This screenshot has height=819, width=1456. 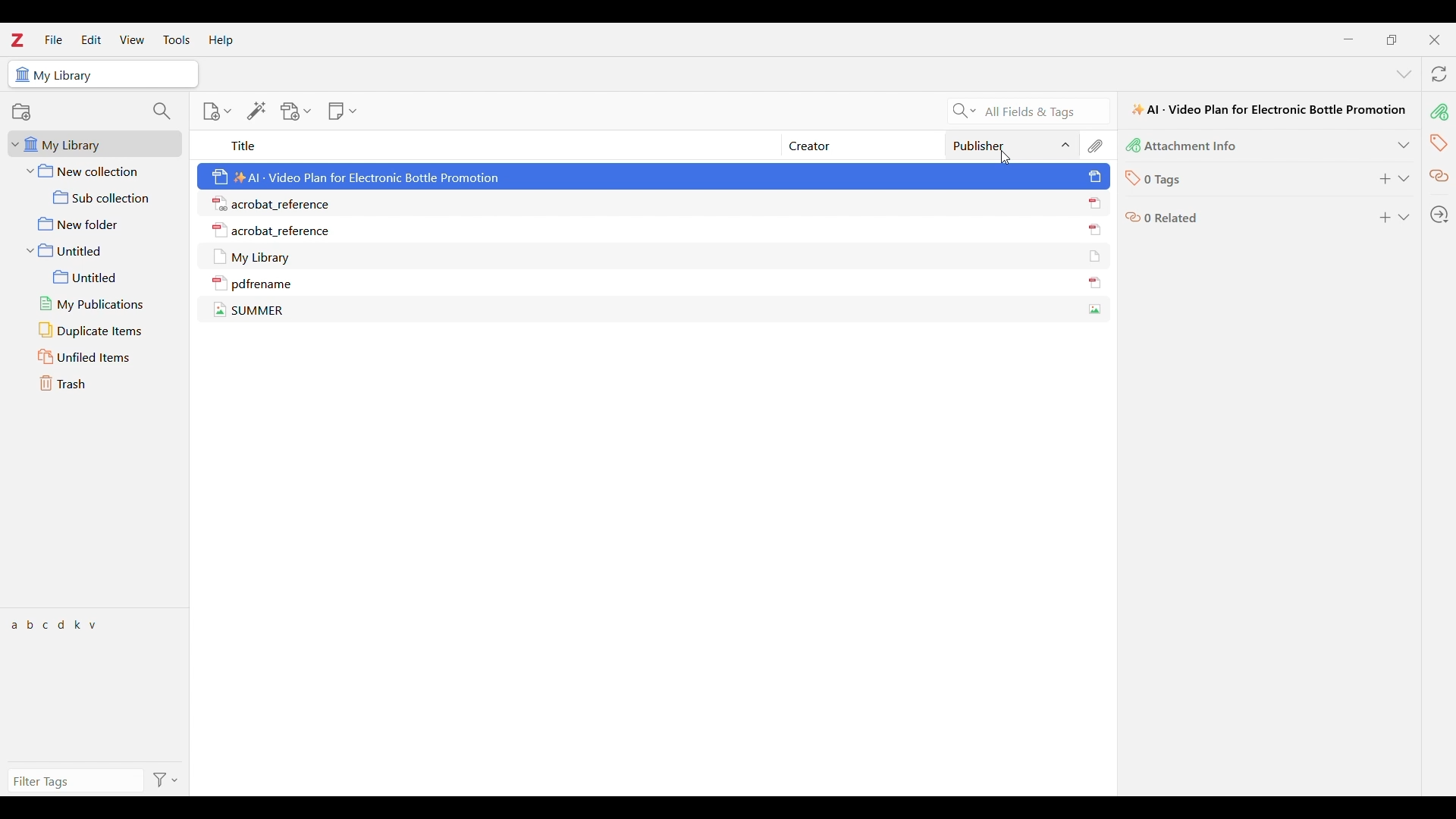 What do you see at coordinates (96, 224) in the screenshot?
I see `New folder` at bounding box center [96, 224].